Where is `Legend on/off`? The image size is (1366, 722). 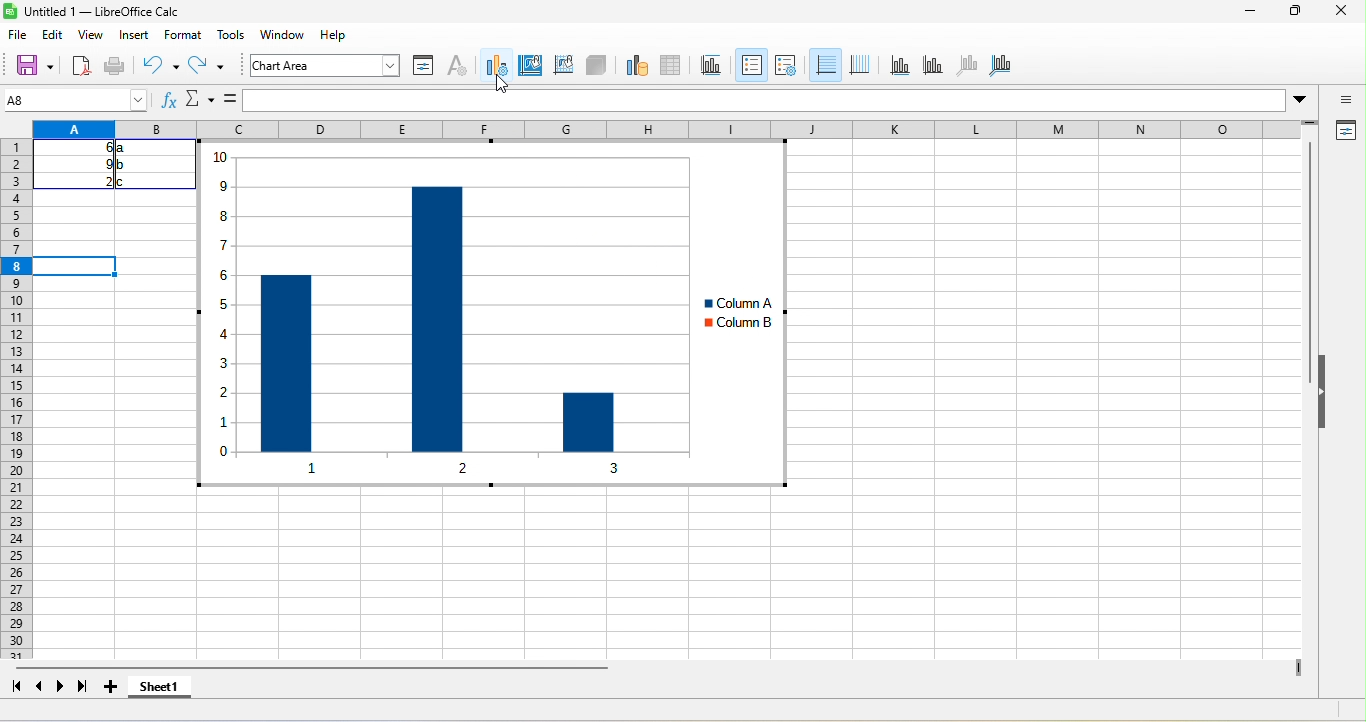
Legend on/off is located at coordinates (824, 64).